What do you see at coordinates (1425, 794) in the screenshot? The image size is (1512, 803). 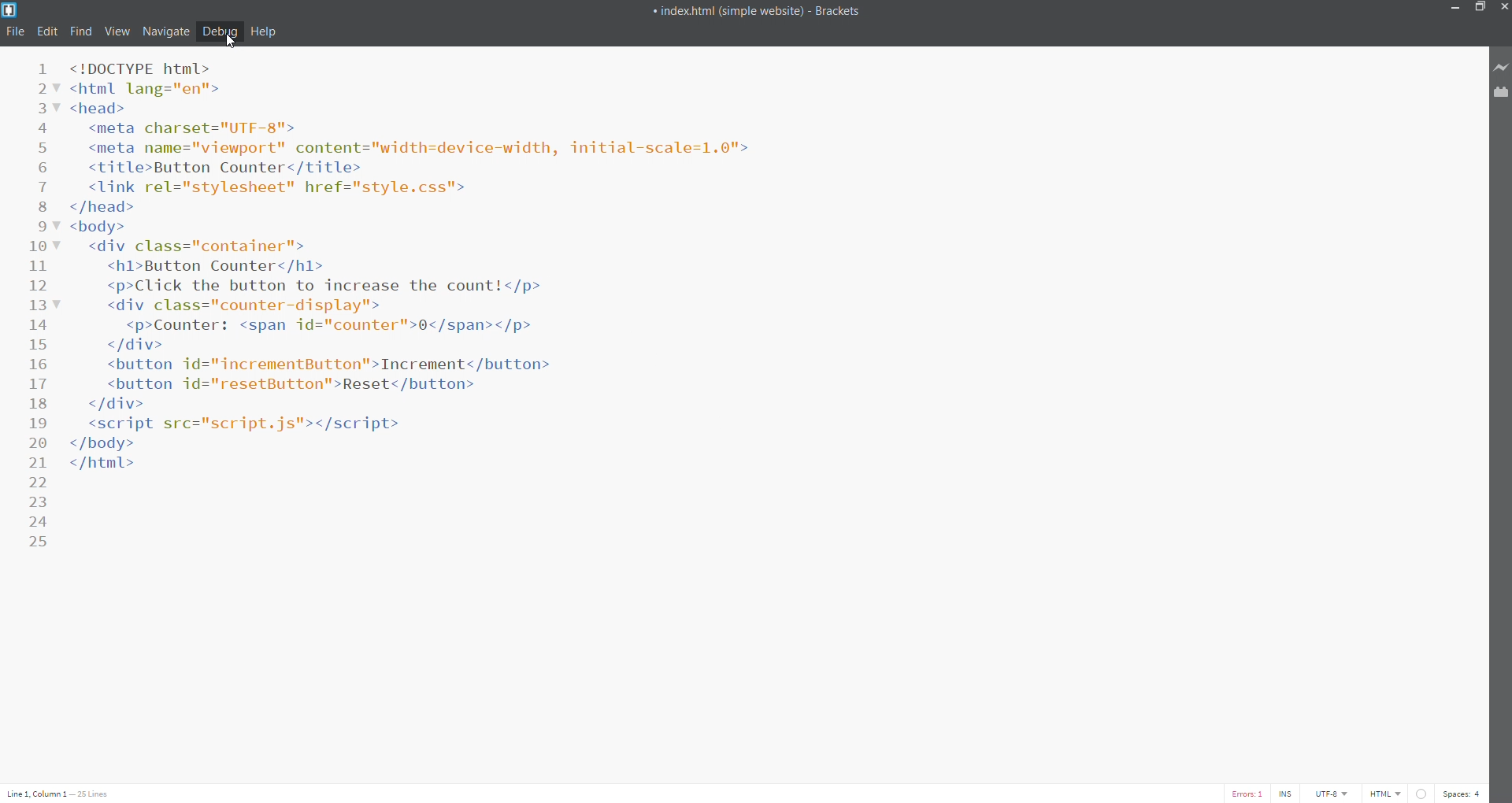 I see `errorr` at bounding box center [1425, 794].